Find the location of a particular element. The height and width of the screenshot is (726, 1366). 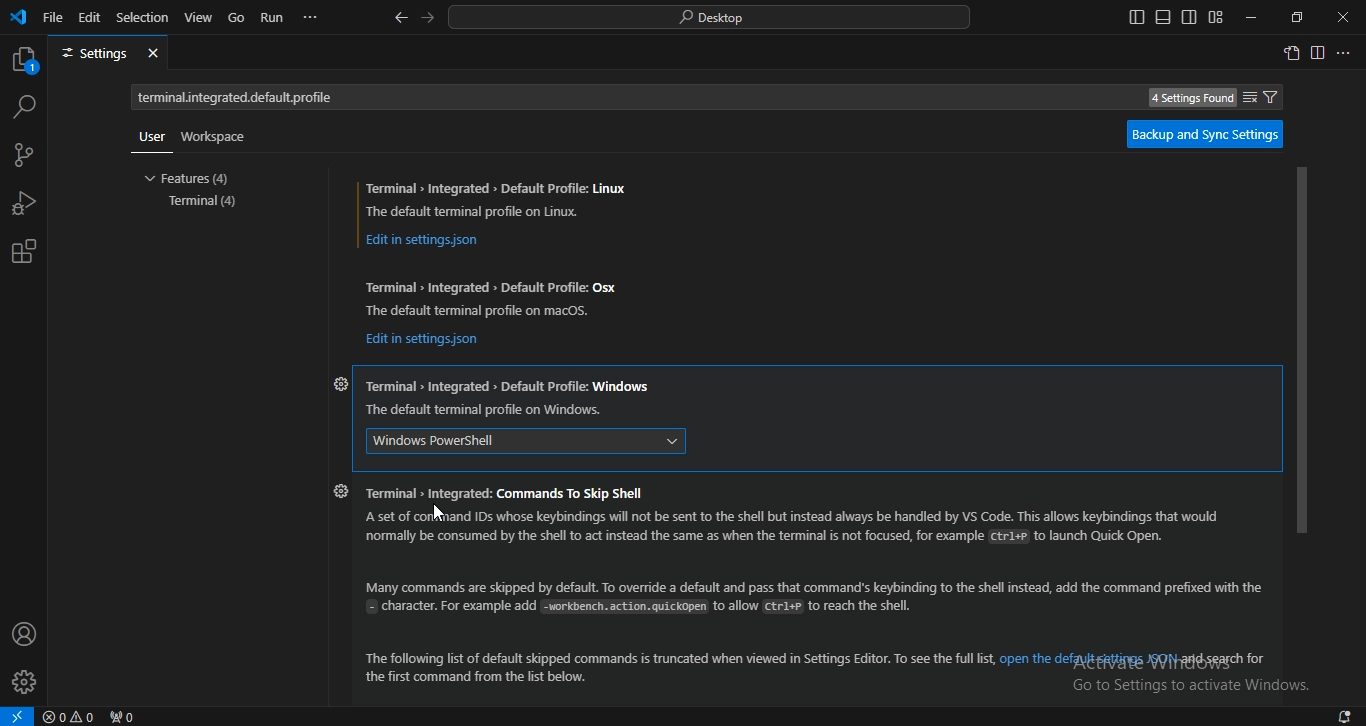

extension is located at coordinates (25, 251).